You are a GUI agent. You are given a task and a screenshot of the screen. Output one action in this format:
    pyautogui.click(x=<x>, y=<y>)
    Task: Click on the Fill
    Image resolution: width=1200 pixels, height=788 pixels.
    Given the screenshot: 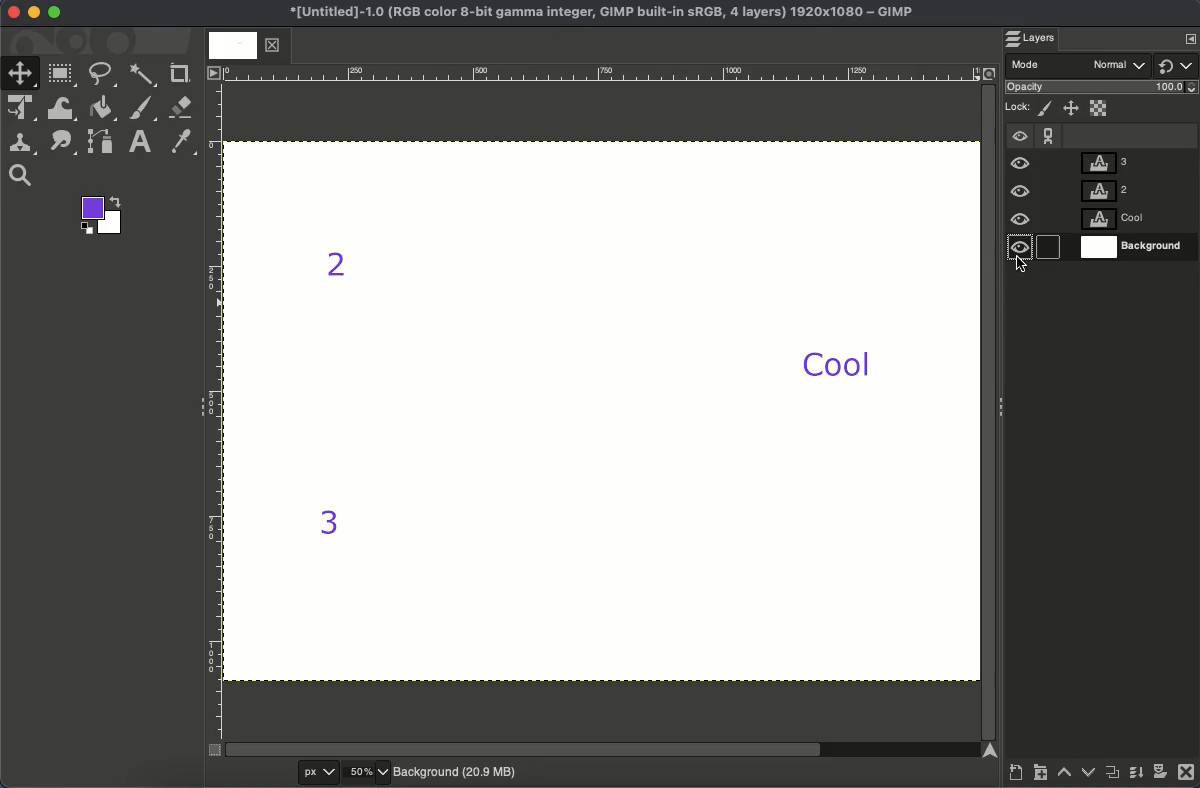 What is the action you would take?
    pyautogui.click(x=103, y=108)
    